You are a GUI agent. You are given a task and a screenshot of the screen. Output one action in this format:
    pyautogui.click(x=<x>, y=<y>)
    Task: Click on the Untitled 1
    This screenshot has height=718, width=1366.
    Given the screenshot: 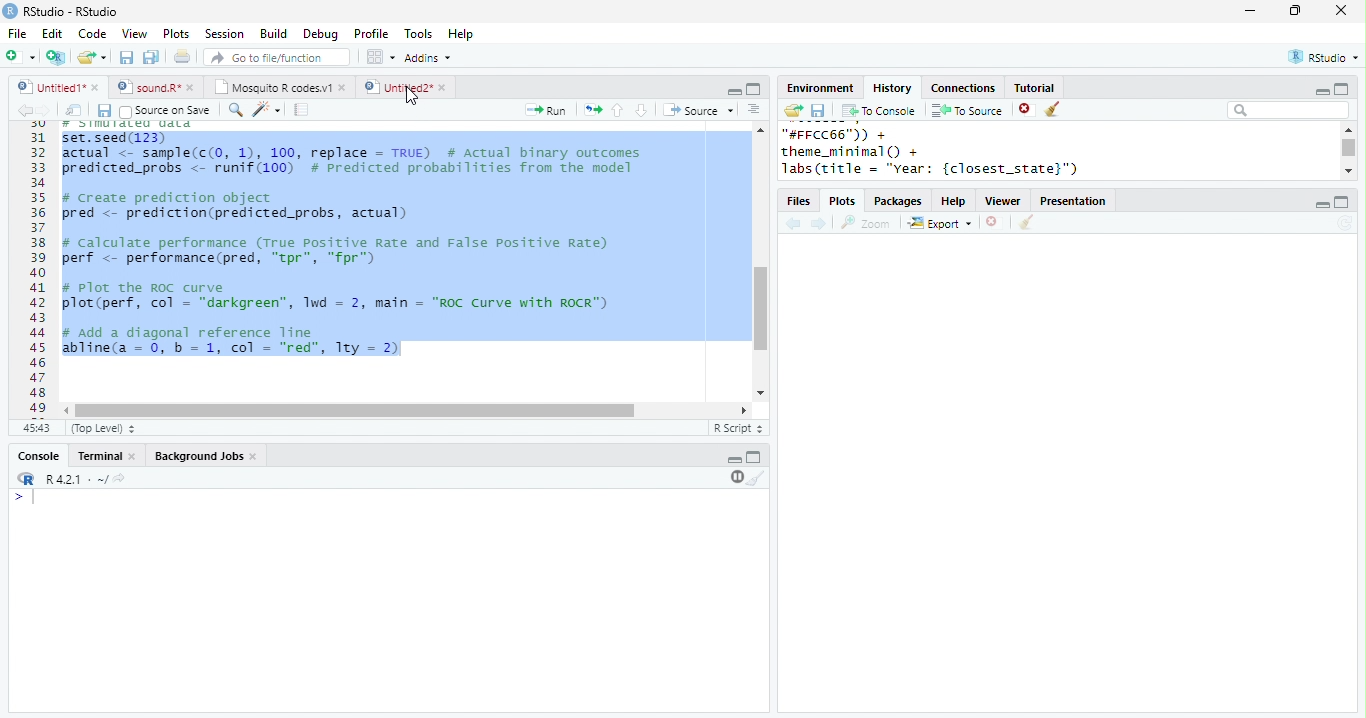 What is the action you would take?
    pyautogui.click(x=48, y=86)
    